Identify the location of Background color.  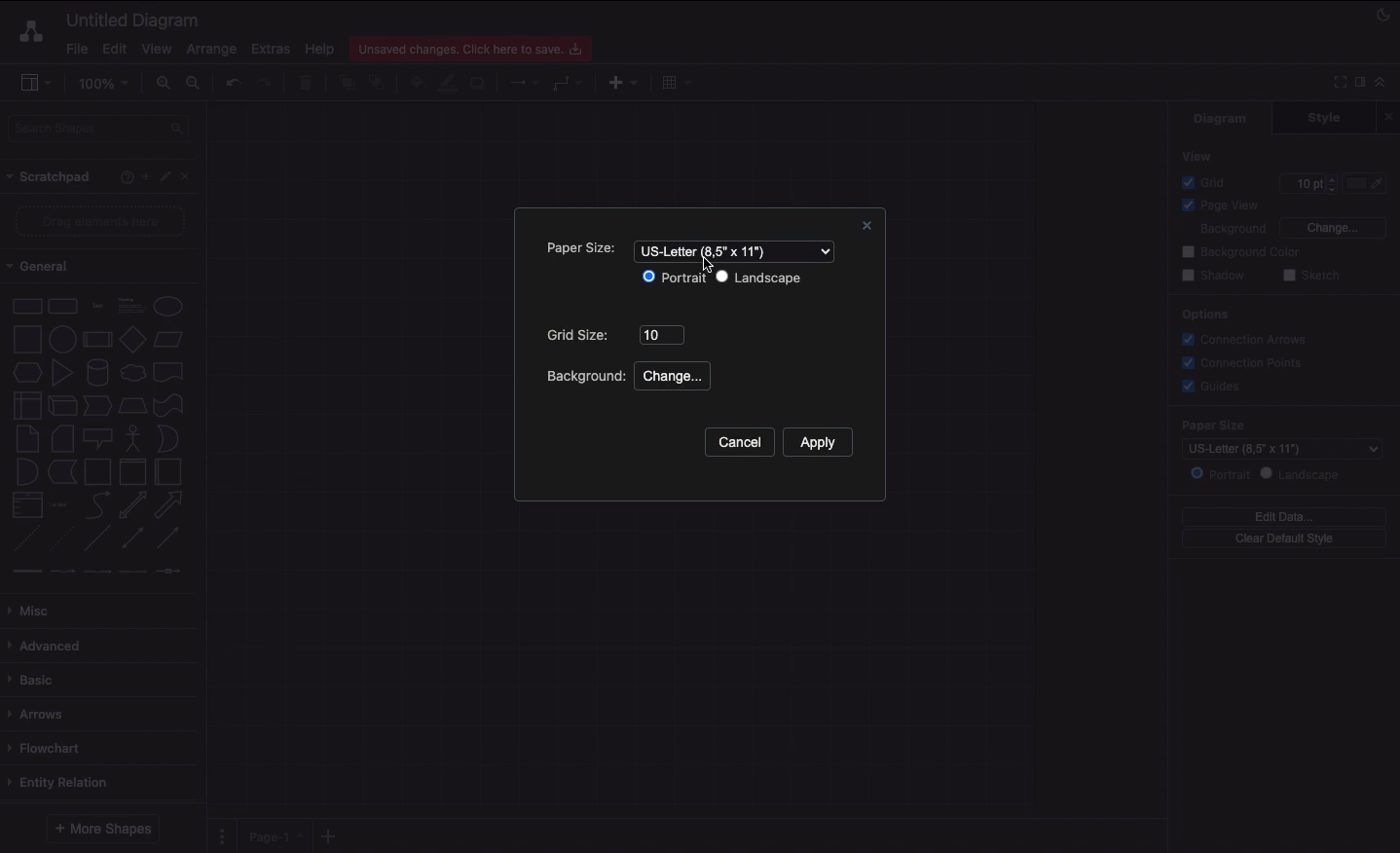
(1243, 252).